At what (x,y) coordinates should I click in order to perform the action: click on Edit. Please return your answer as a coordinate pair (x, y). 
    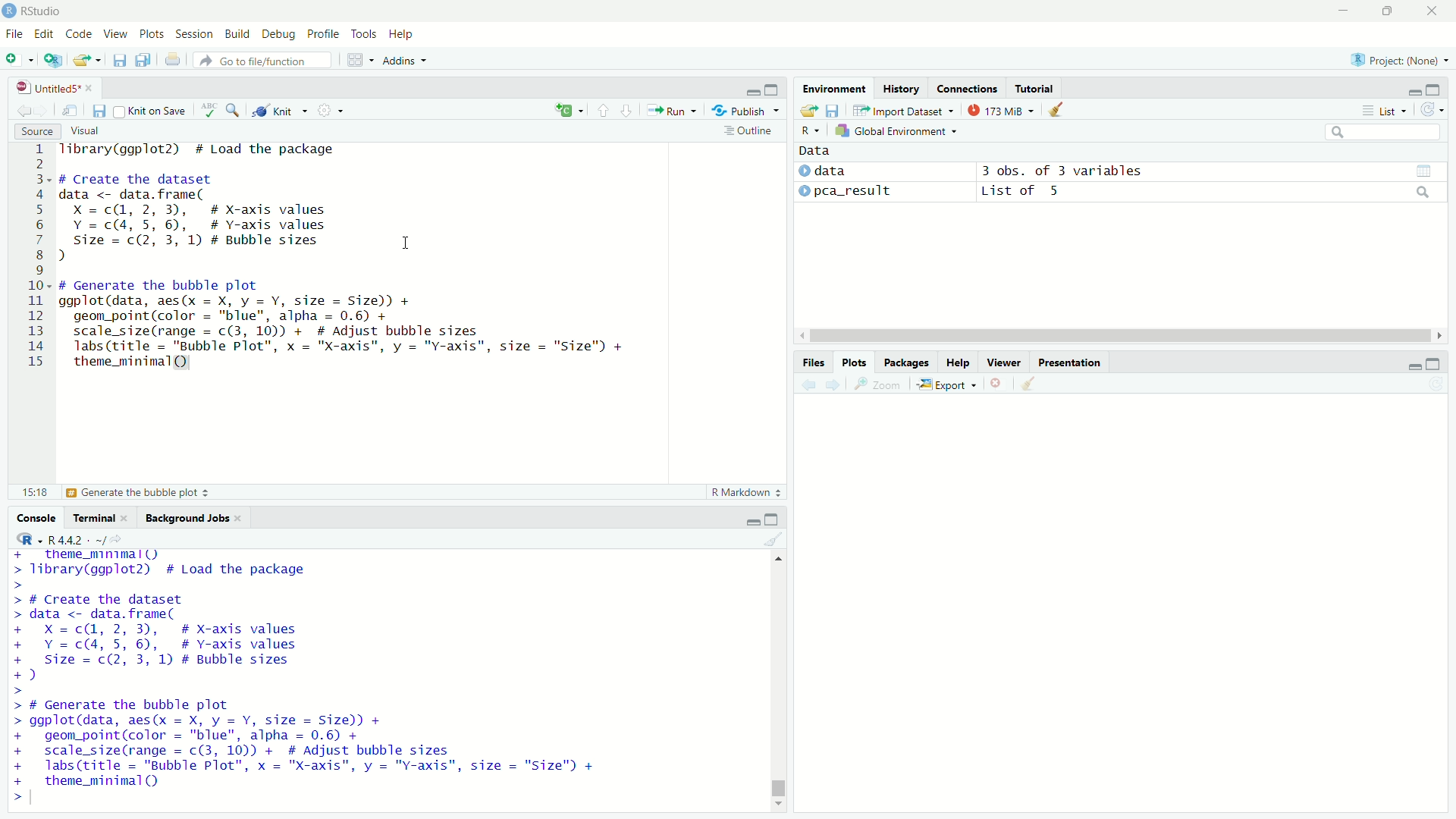
    Looking at the image, I should click on (46, 35).